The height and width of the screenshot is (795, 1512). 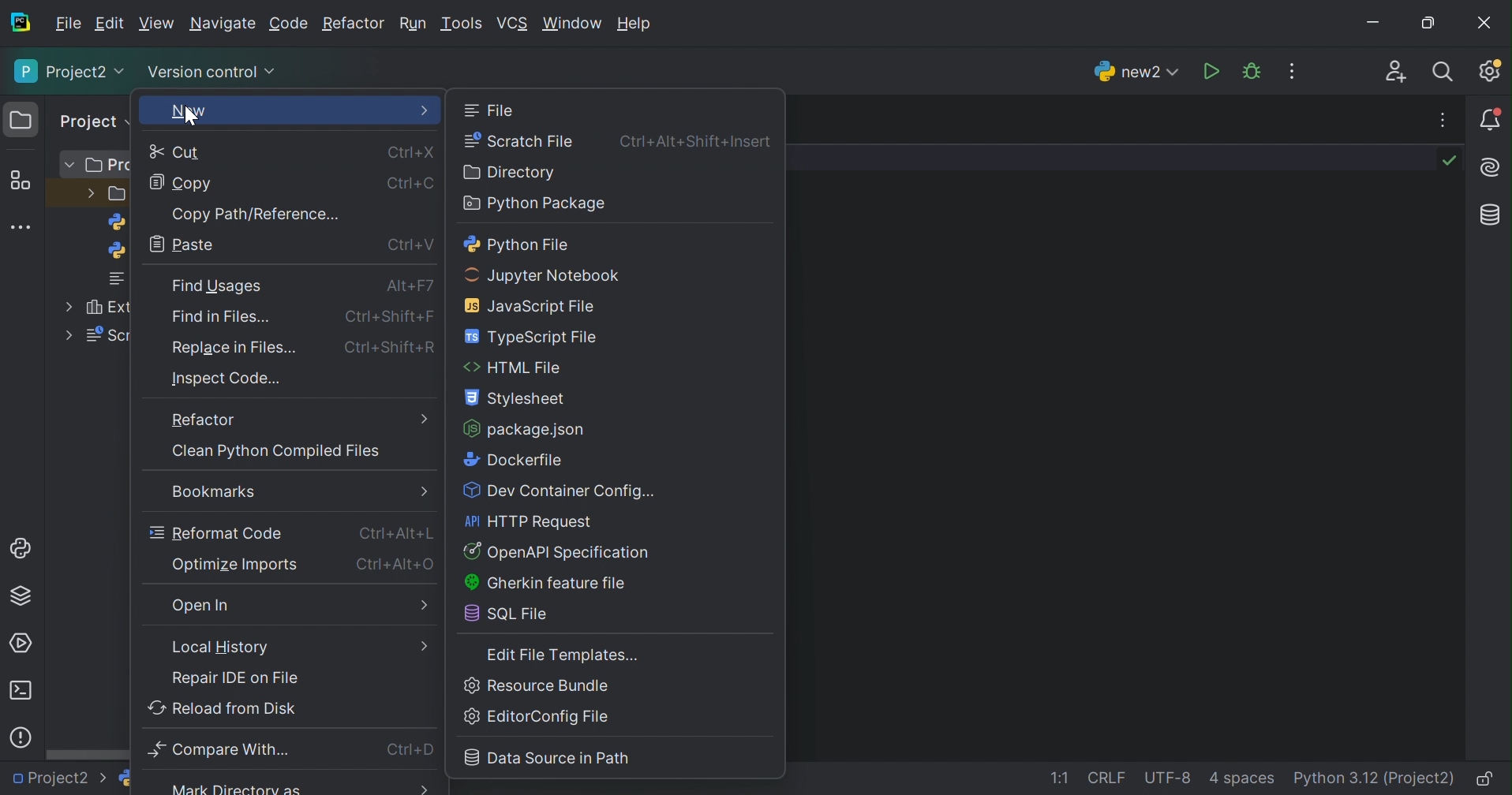 What do you see at coordinates (421, 491) in the screenshot?
I see `More` at bounding box center [421, 491].